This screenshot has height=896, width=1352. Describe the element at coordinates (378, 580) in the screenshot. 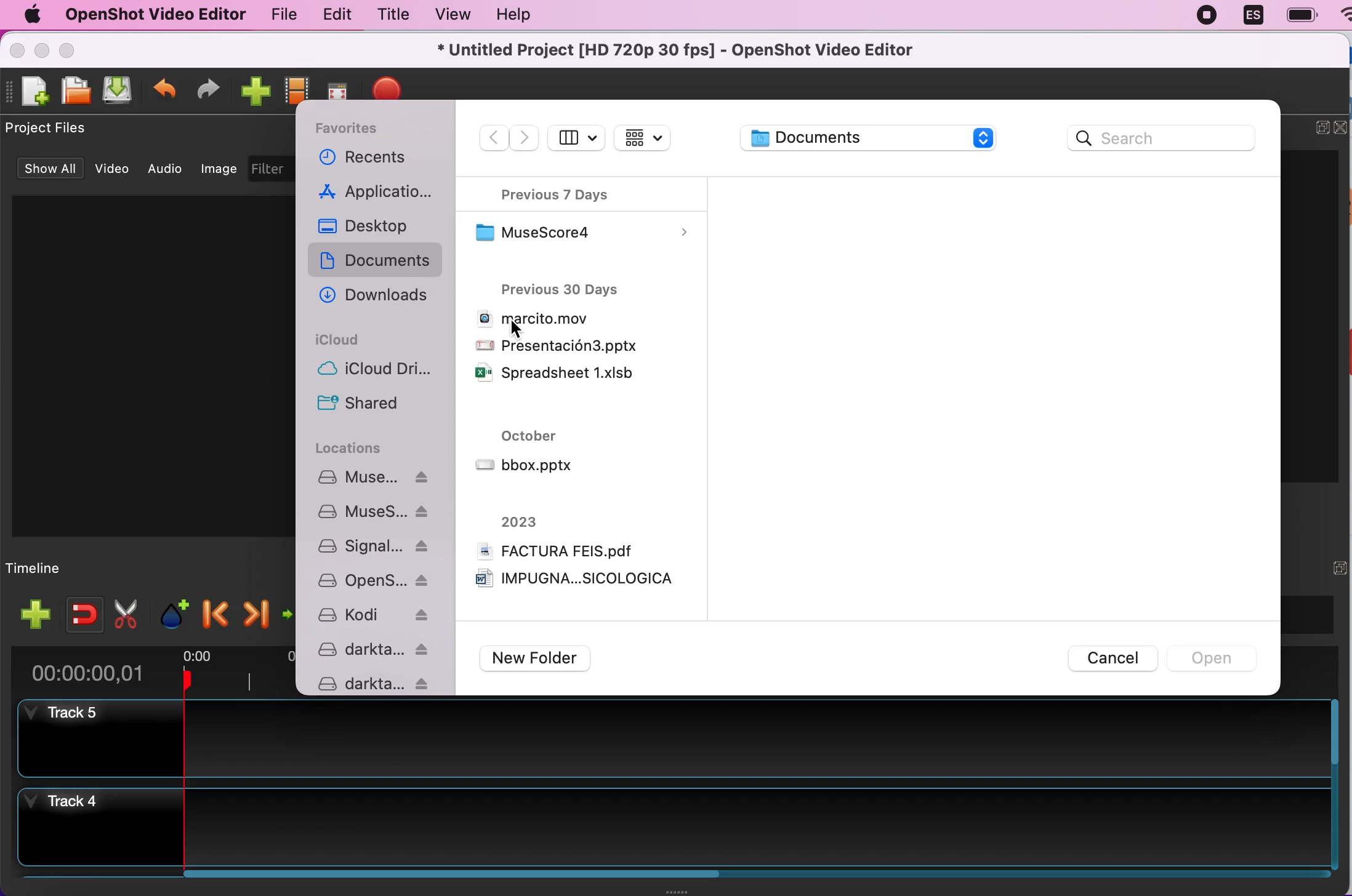

I see `folders` at that location.